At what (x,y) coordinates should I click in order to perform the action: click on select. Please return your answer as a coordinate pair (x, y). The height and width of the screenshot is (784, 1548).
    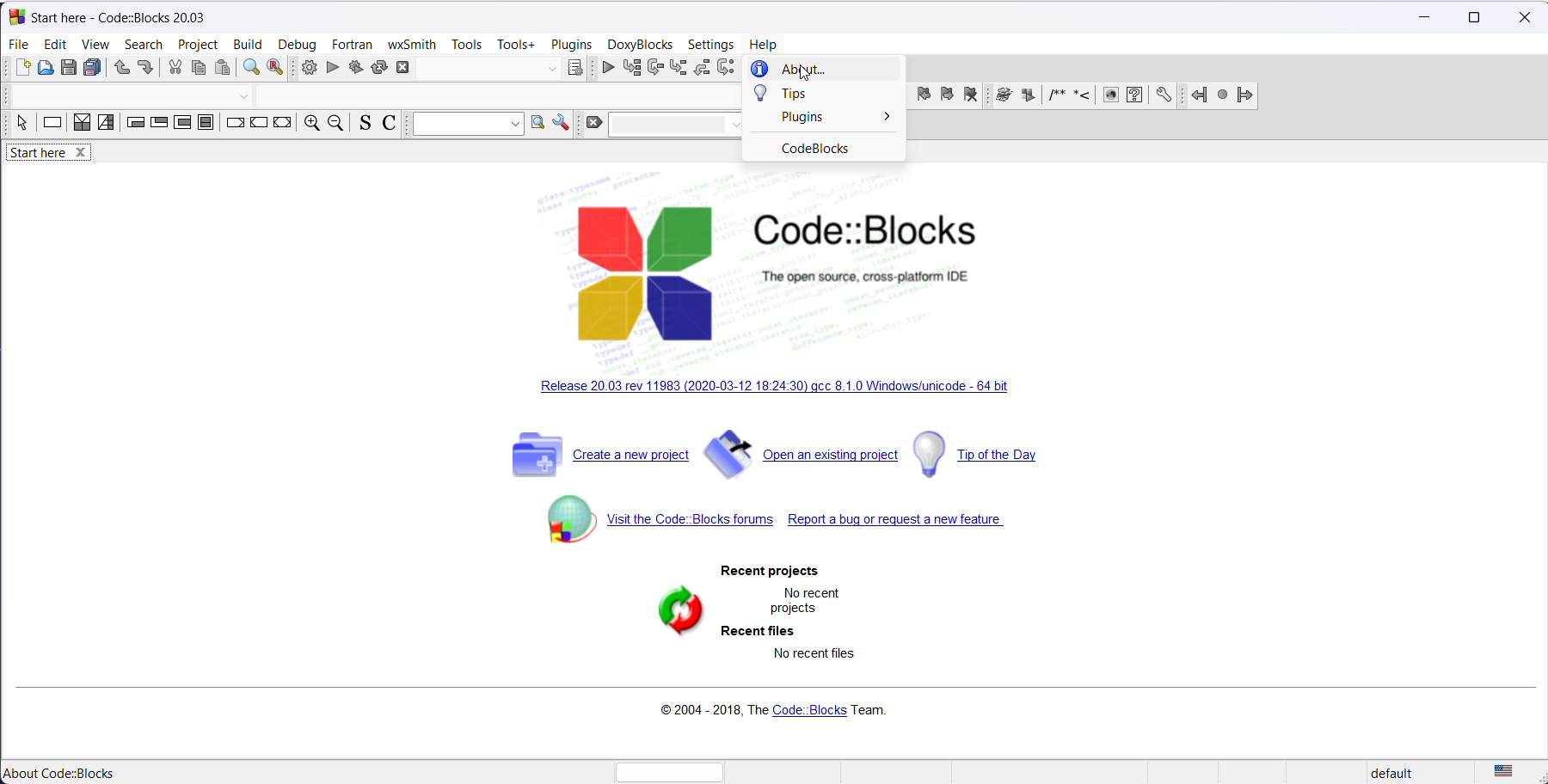
    Looking at the image, I should click on (20, 126).